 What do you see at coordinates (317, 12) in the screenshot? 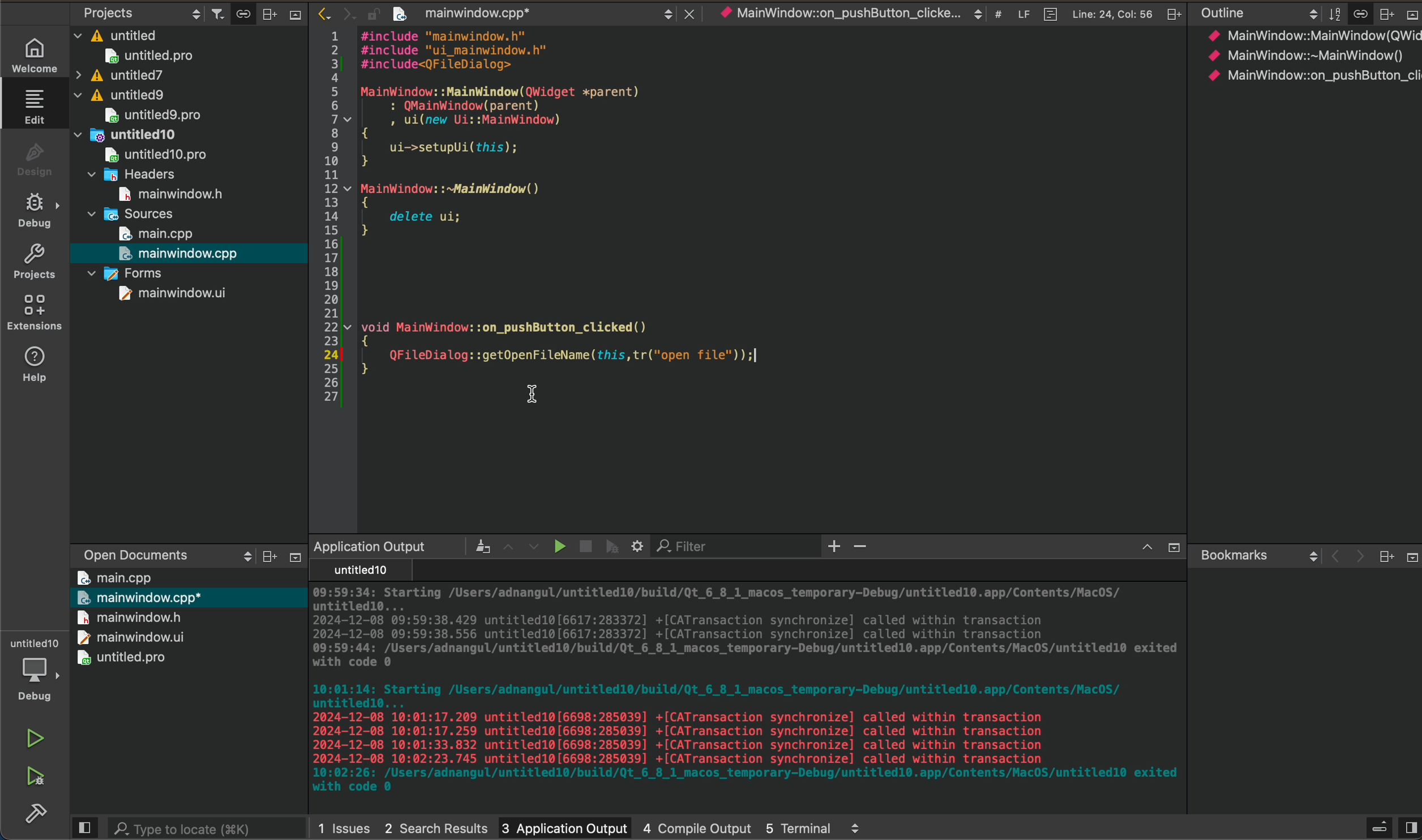
I see `back` at bounding box center [317, 12].